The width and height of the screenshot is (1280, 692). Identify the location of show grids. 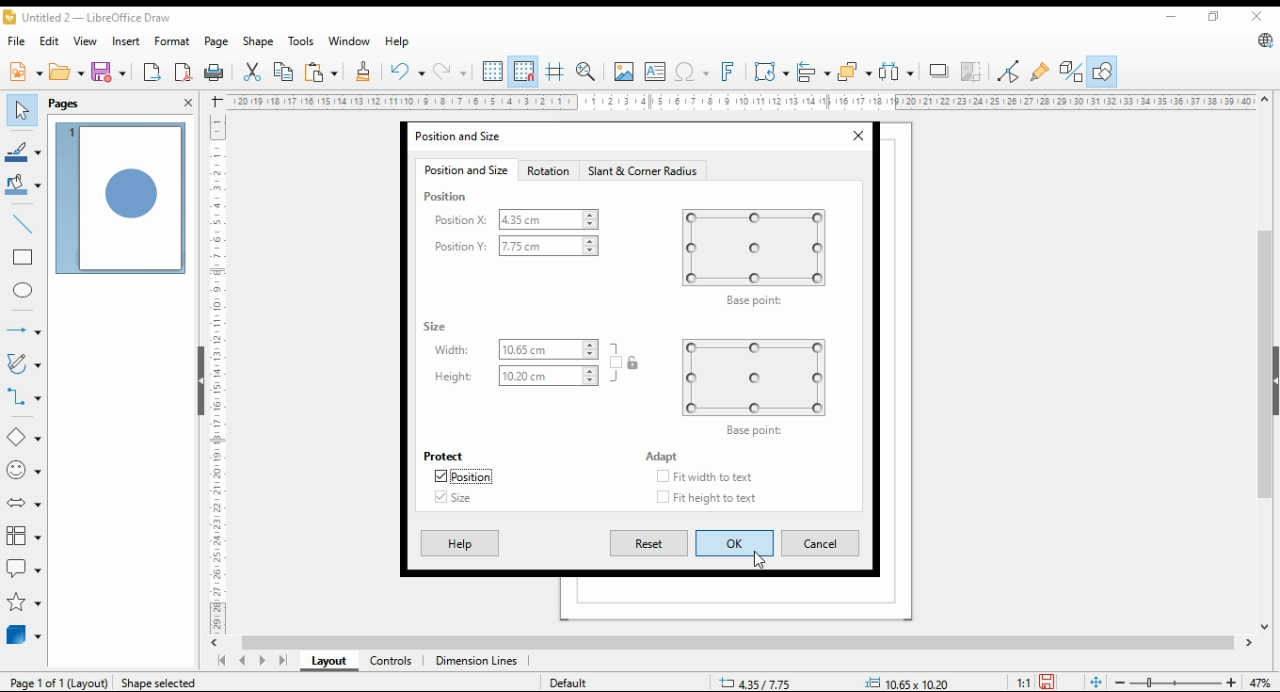
(493, 72).